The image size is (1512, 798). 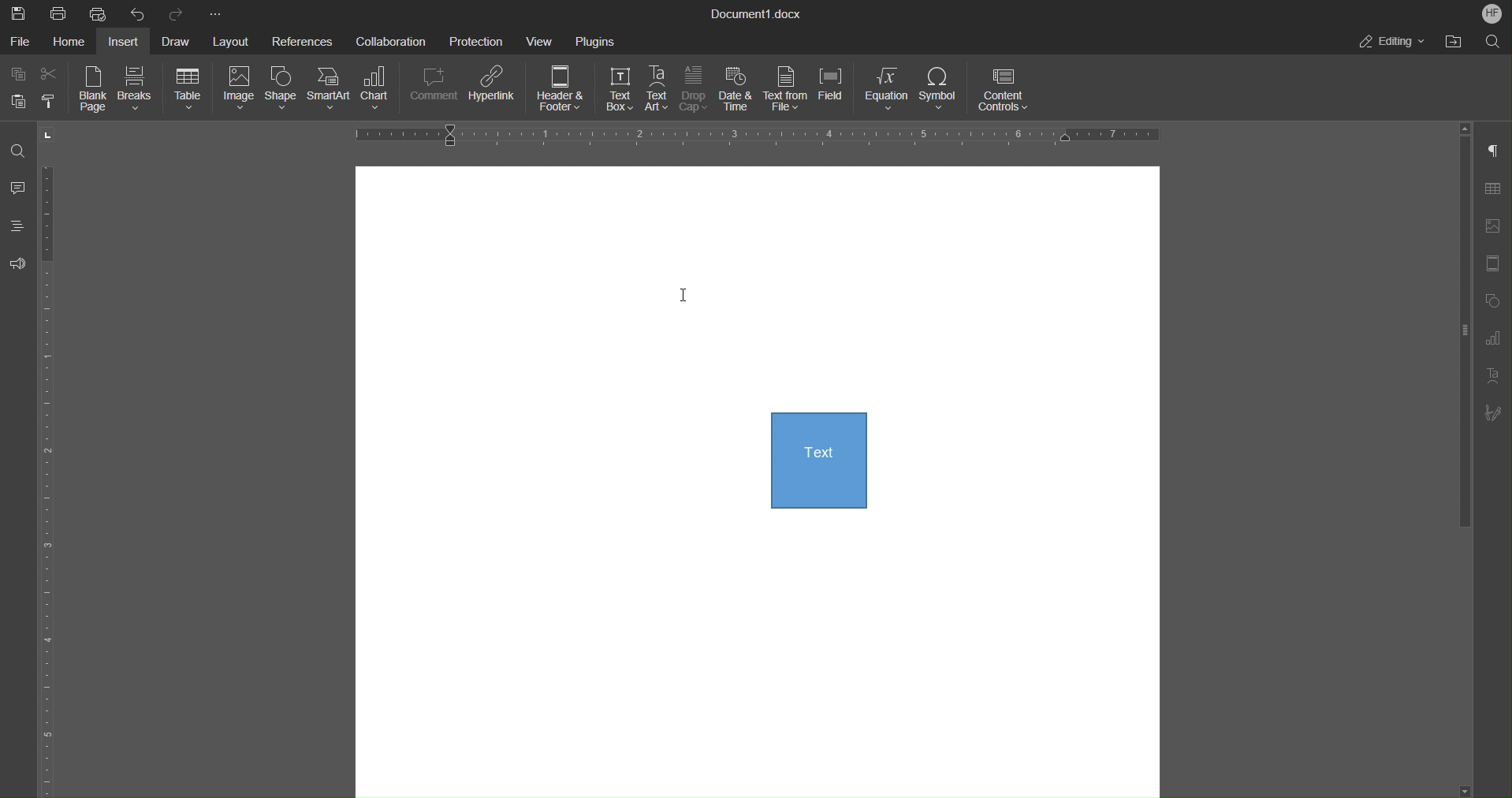 What do you see at coordinates (127, 41) in the screenshot?
I see `Insert` at bounding box center [127, 41].